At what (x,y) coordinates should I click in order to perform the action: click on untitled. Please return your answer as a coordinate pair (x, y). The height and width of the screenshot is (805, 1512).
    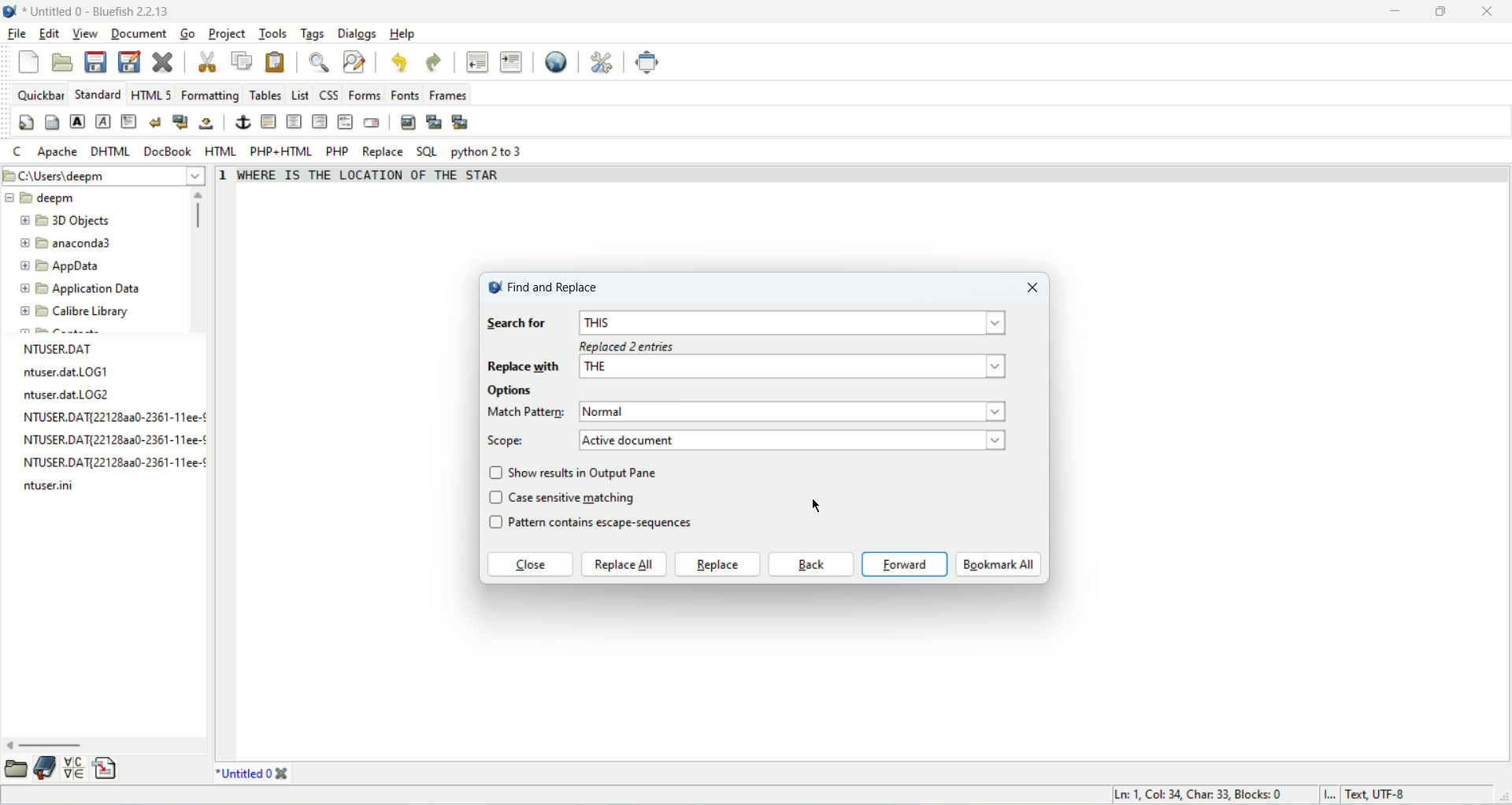
    Looking at the image, I should click on (243, 773).